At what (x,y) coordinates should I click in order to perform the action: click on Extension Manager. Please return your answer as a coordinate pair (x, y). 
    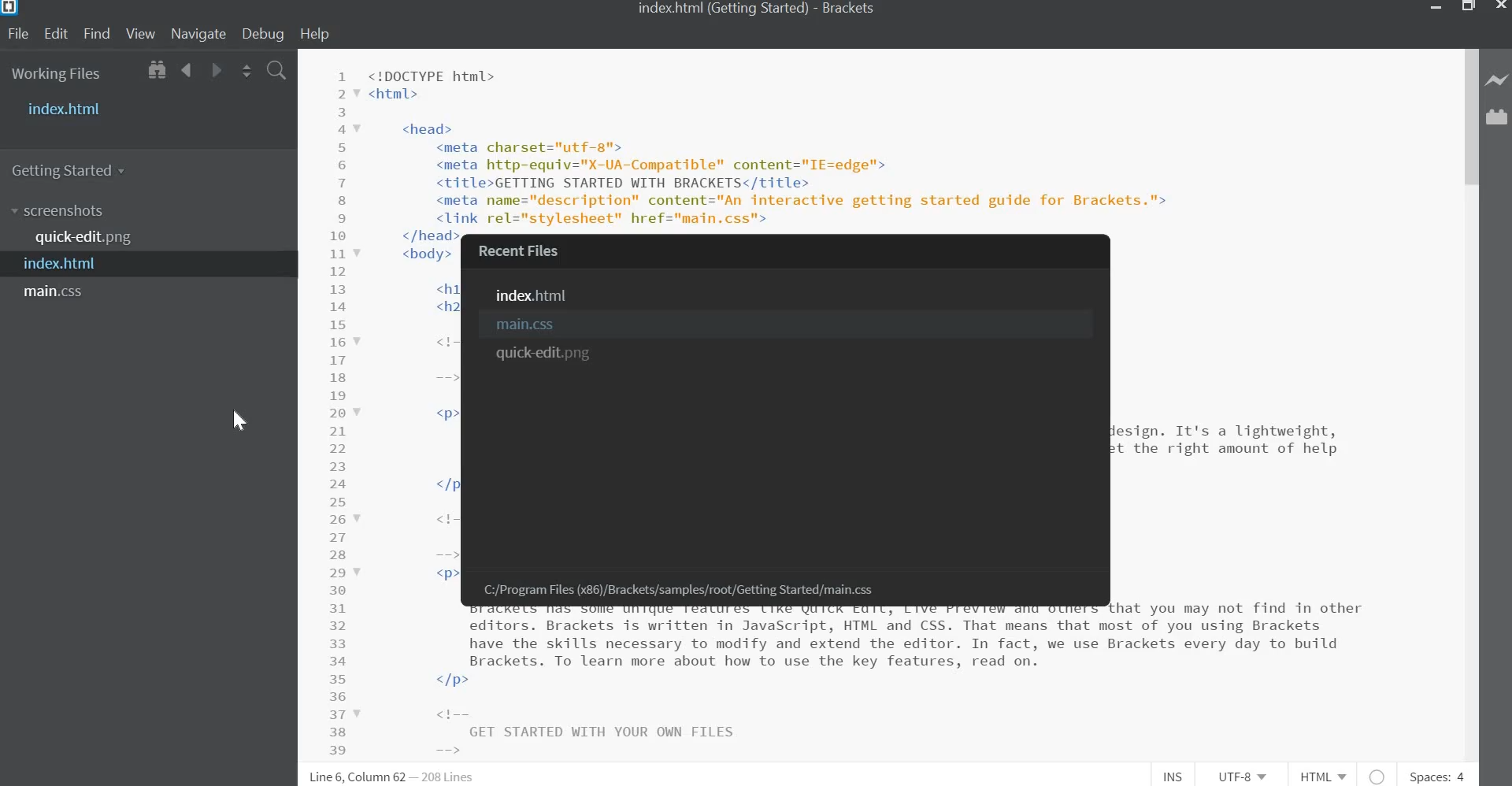
    Looking at the image, I should click on (1499, 121).